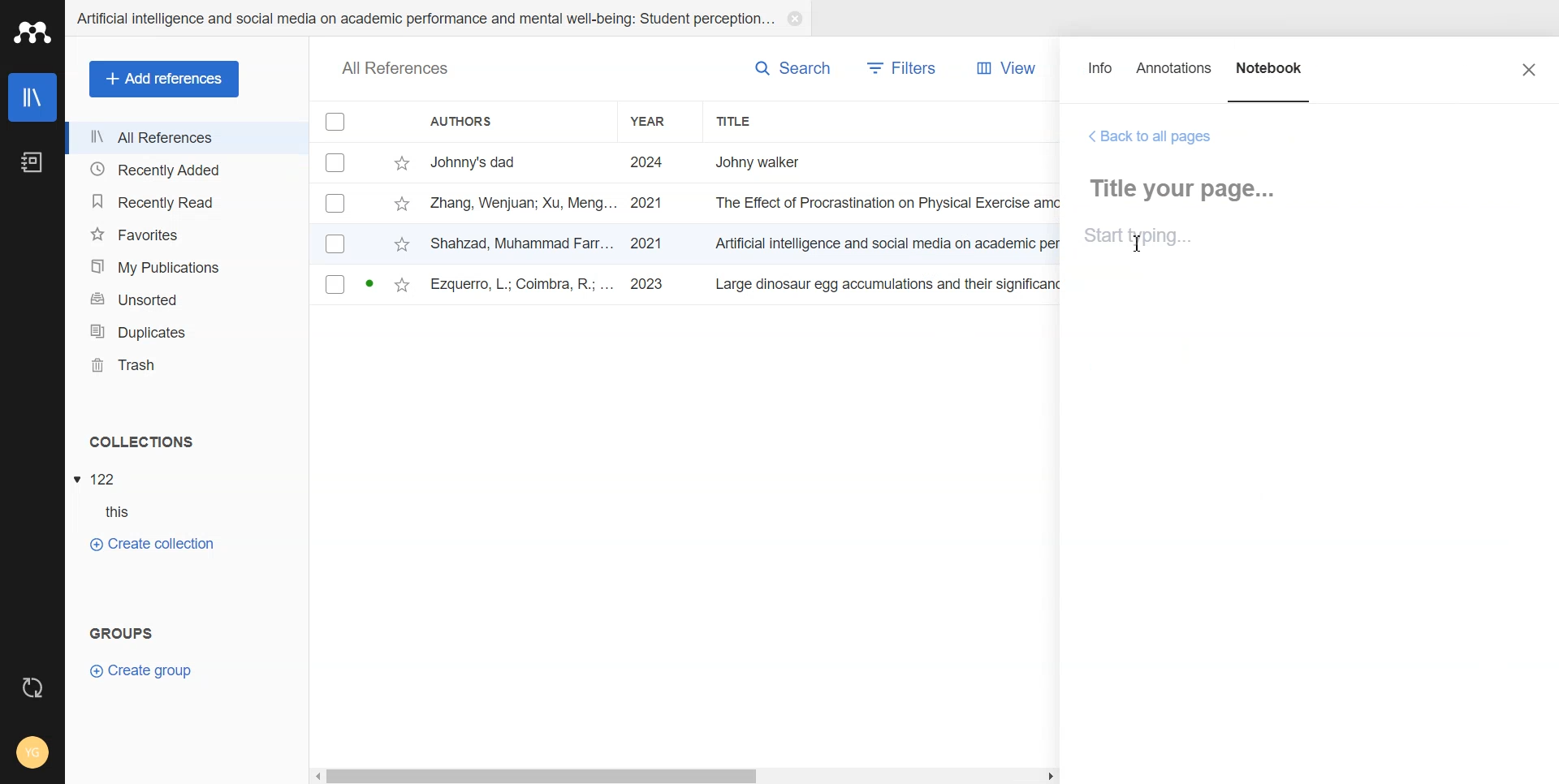 The image size is (1559, 784). I want to click on Recently Added, so click(186, 168).